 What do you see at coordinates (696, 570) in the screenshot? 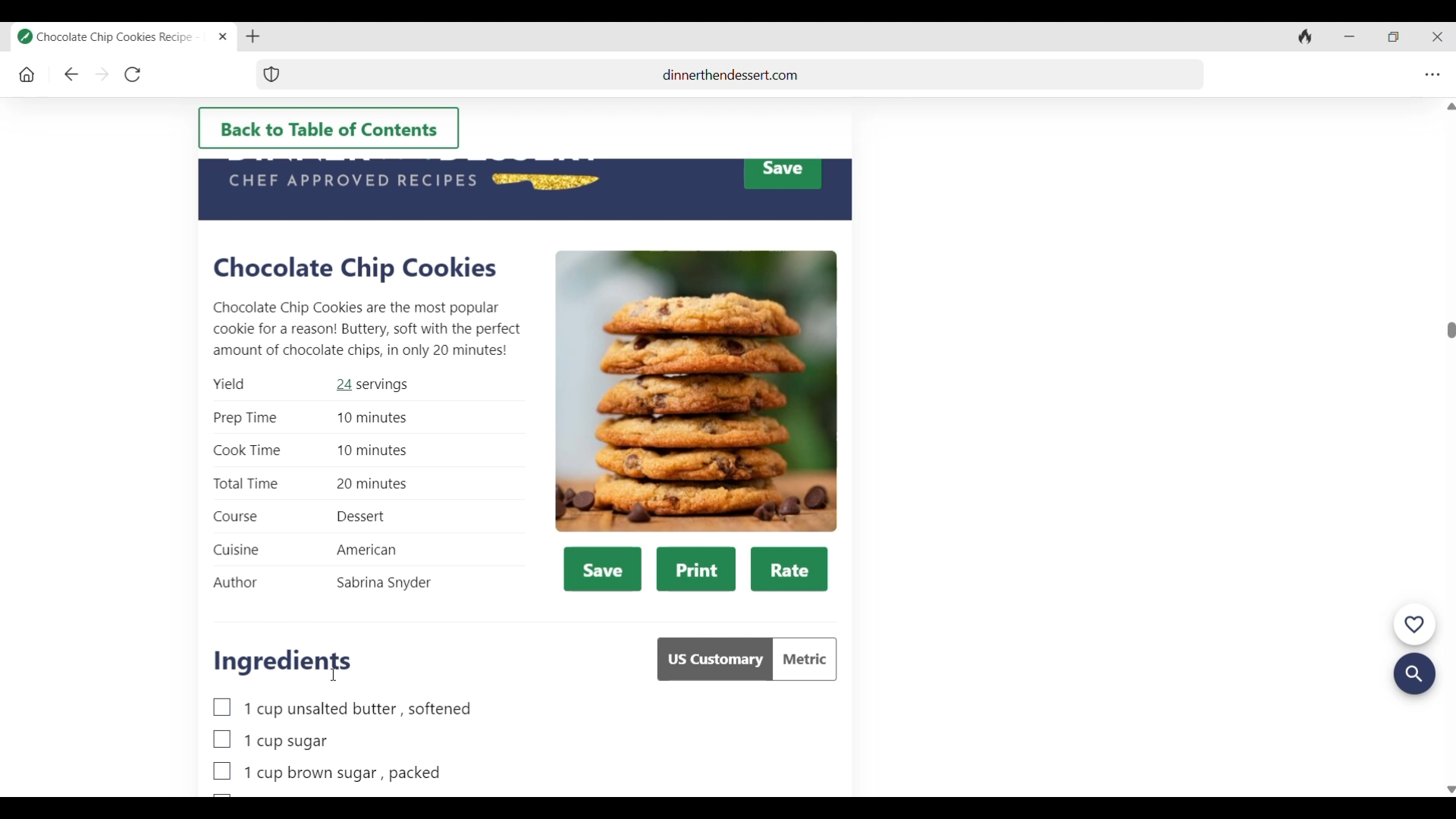
I see `Print recipe` at bounding box center [696, 570].